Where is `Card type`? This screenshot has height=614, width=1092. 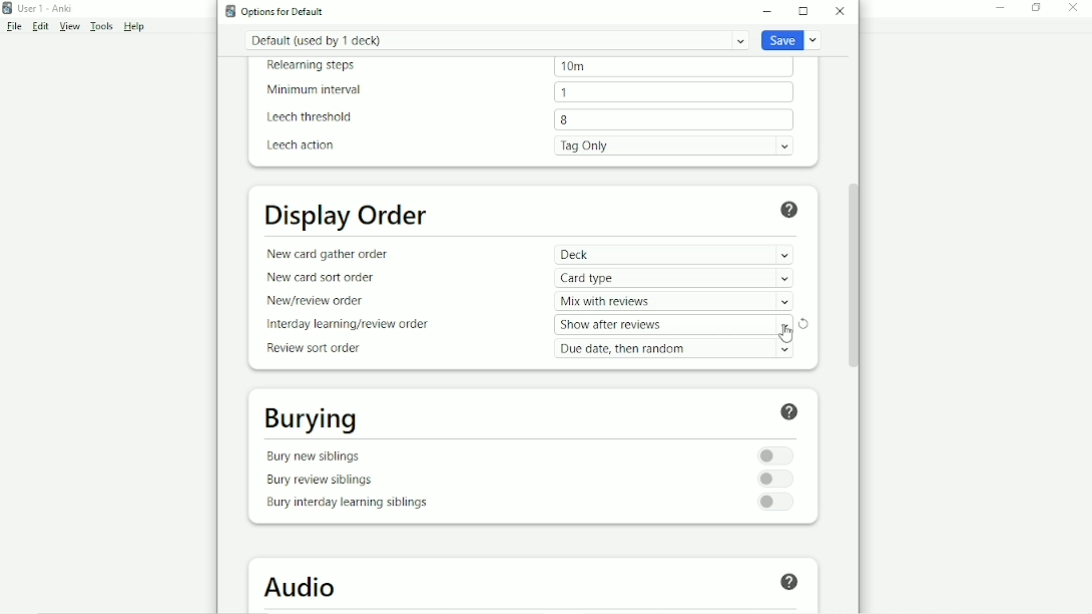 Card type is located at coordinates (674, 278).